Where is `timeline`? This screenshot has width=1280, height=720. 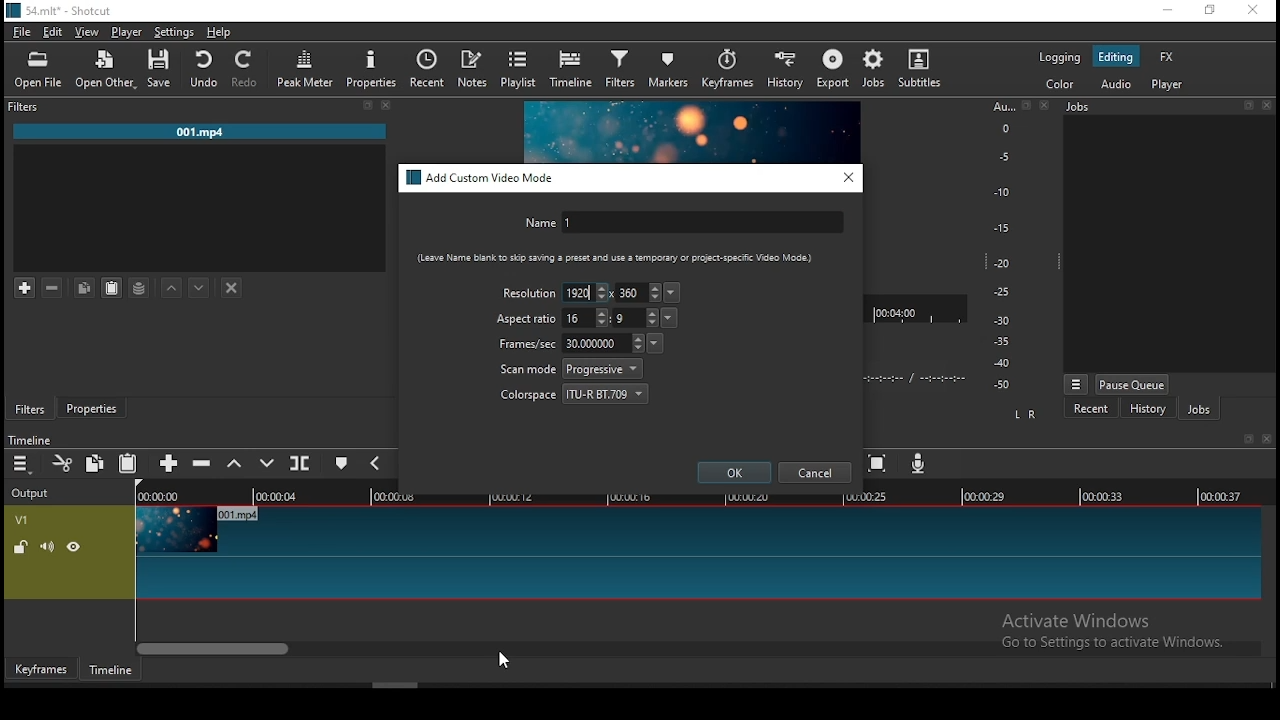 timeline is located at coordinates (111, 670).